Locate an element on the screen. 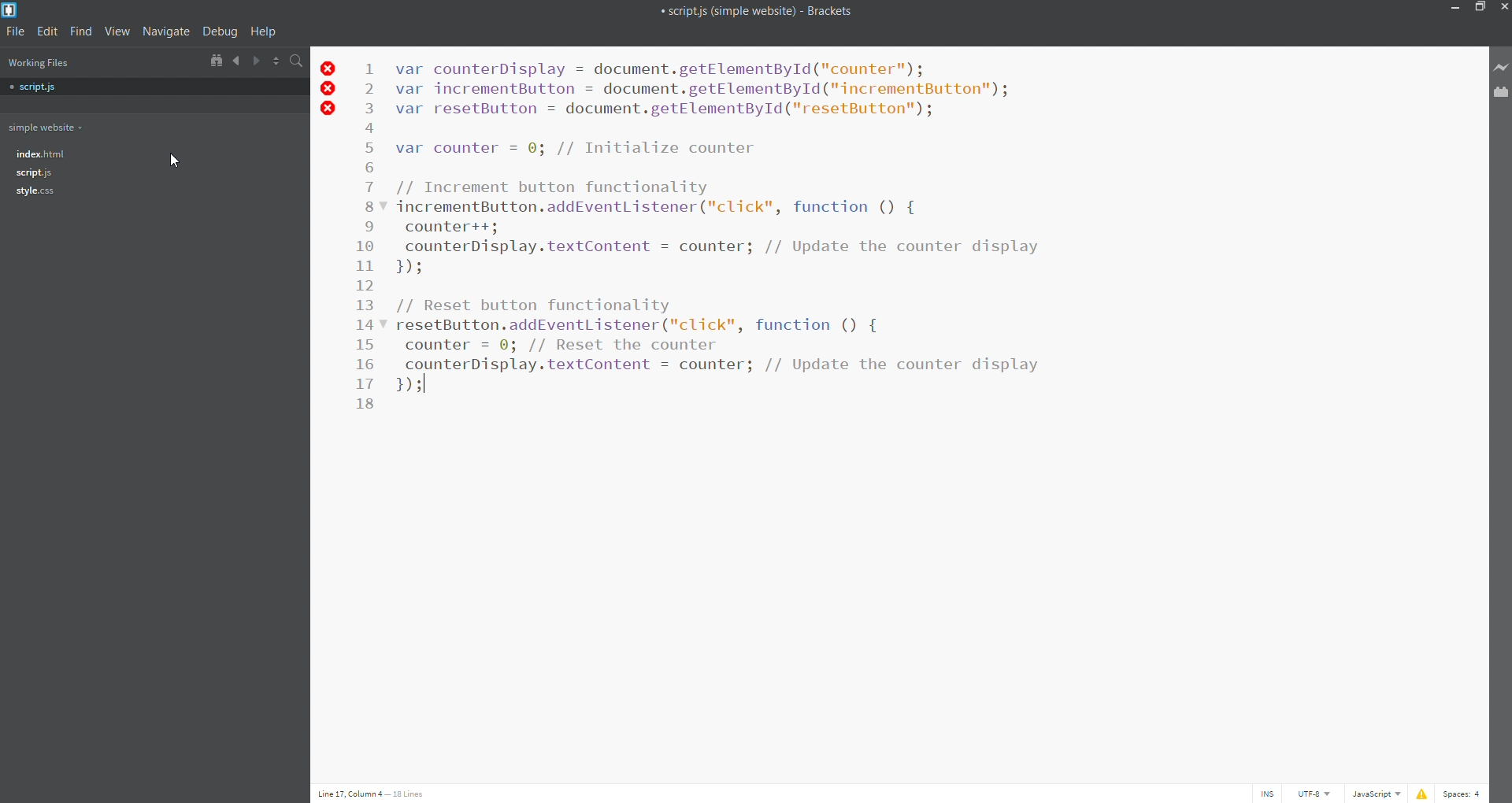  file tree- index.html is located at coordinates (44, 154).